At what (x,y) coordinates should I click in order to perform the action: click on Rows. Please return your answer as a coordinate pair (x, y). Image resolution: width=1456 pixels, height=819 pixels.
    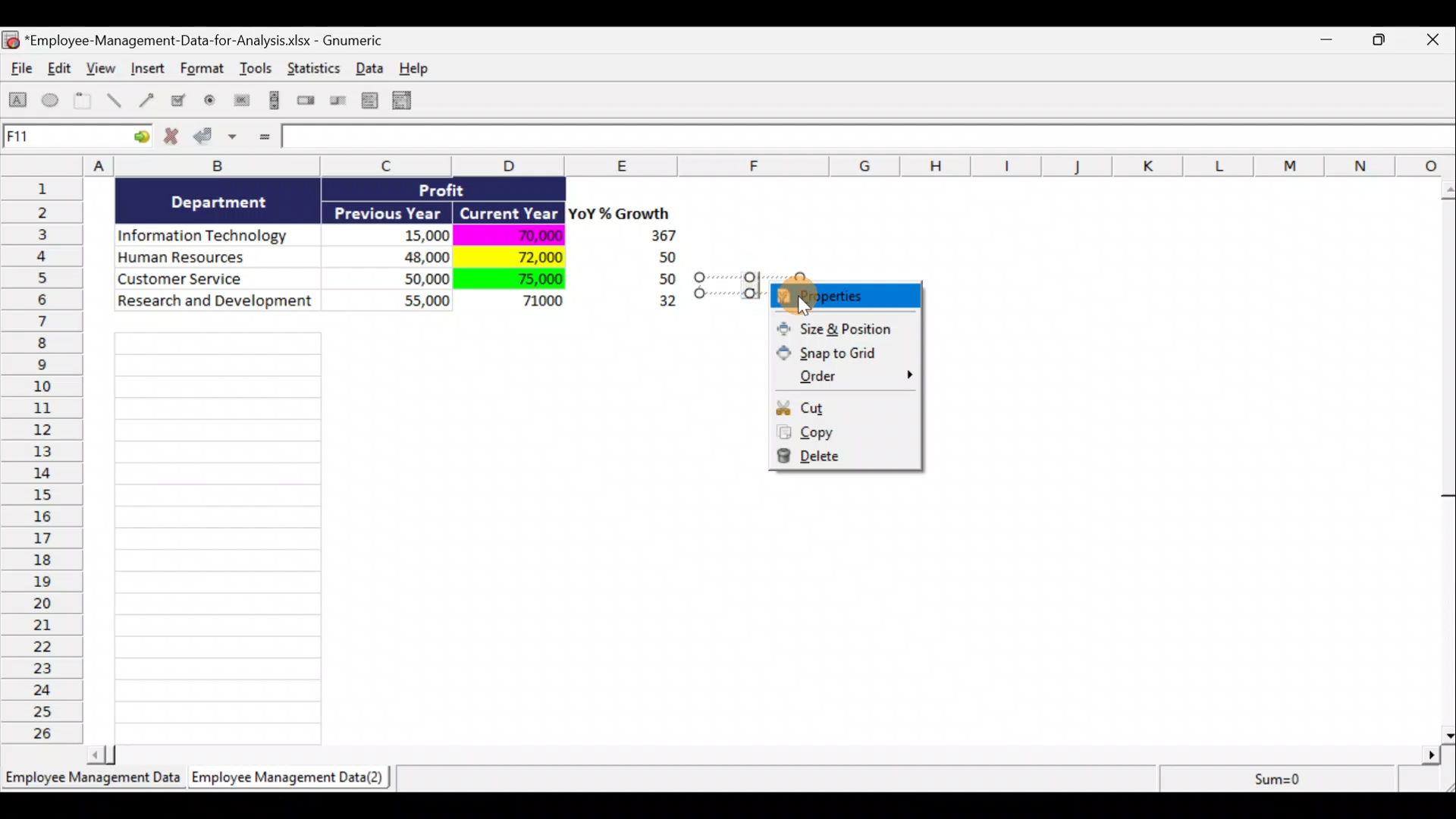
    Looking at the image, I should click on (46, 459).